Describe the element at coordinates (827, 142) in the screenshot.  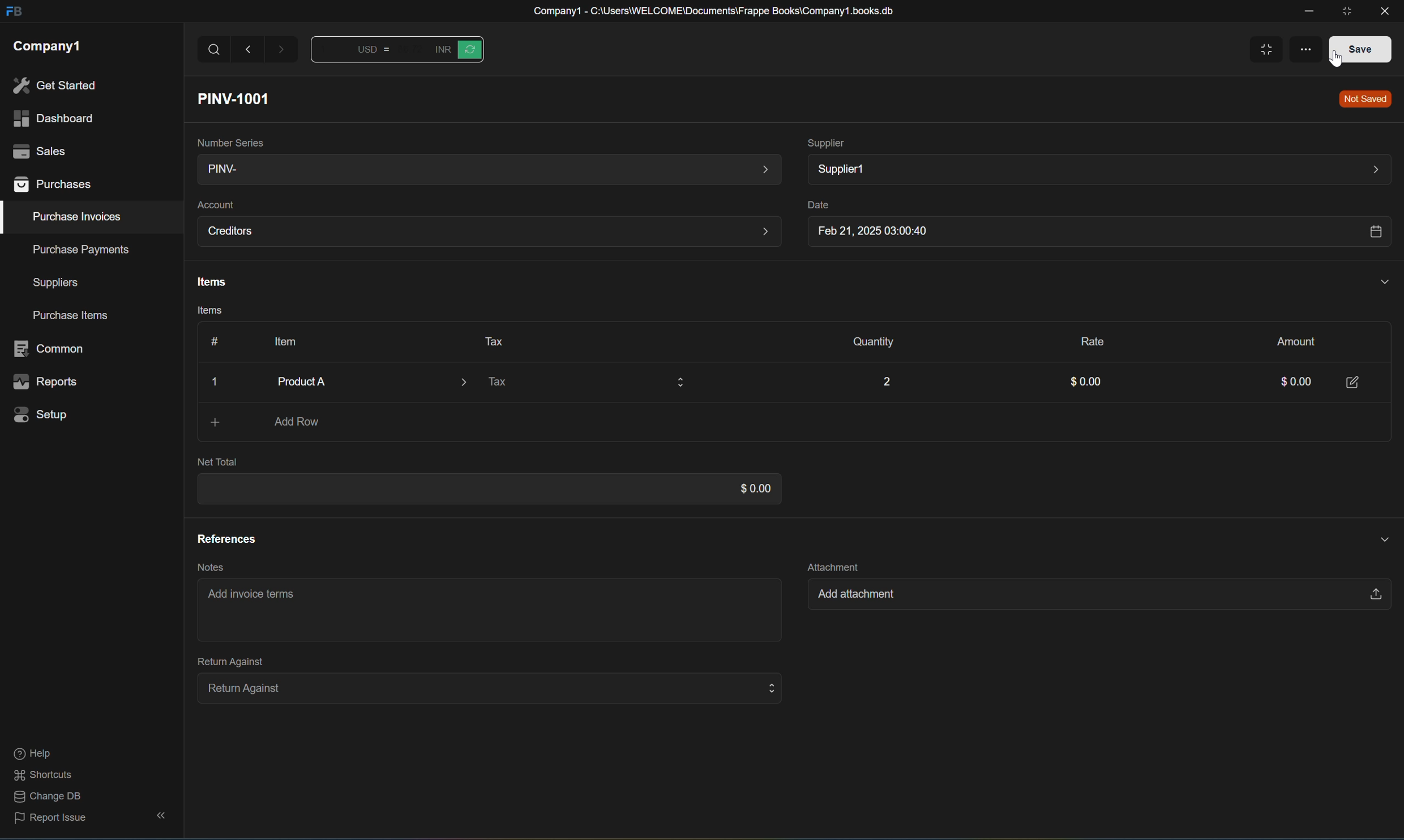
I see `Supplier` at that location.